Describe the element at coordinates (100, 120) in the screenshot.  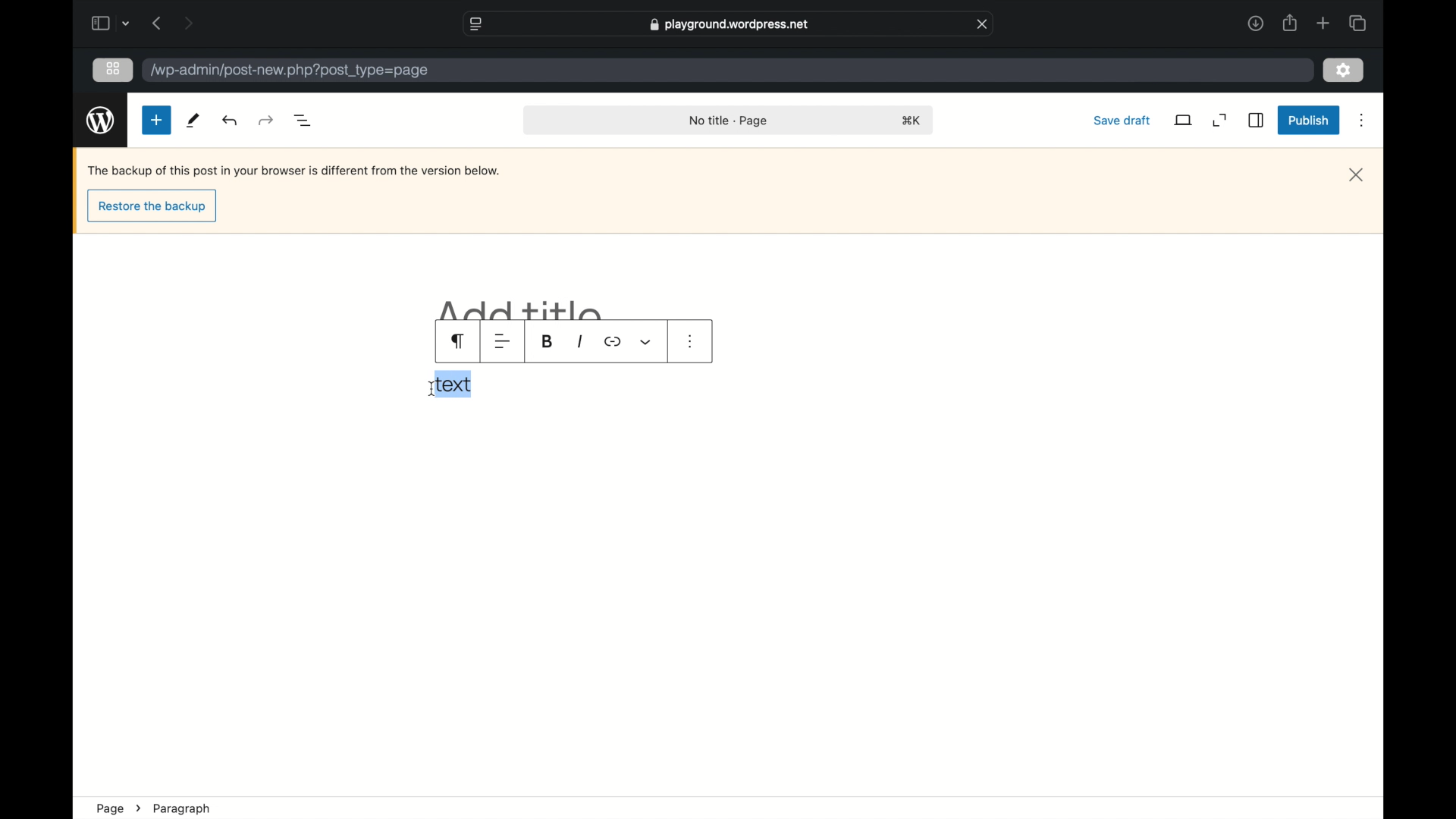
I see `wordpress` at that location.